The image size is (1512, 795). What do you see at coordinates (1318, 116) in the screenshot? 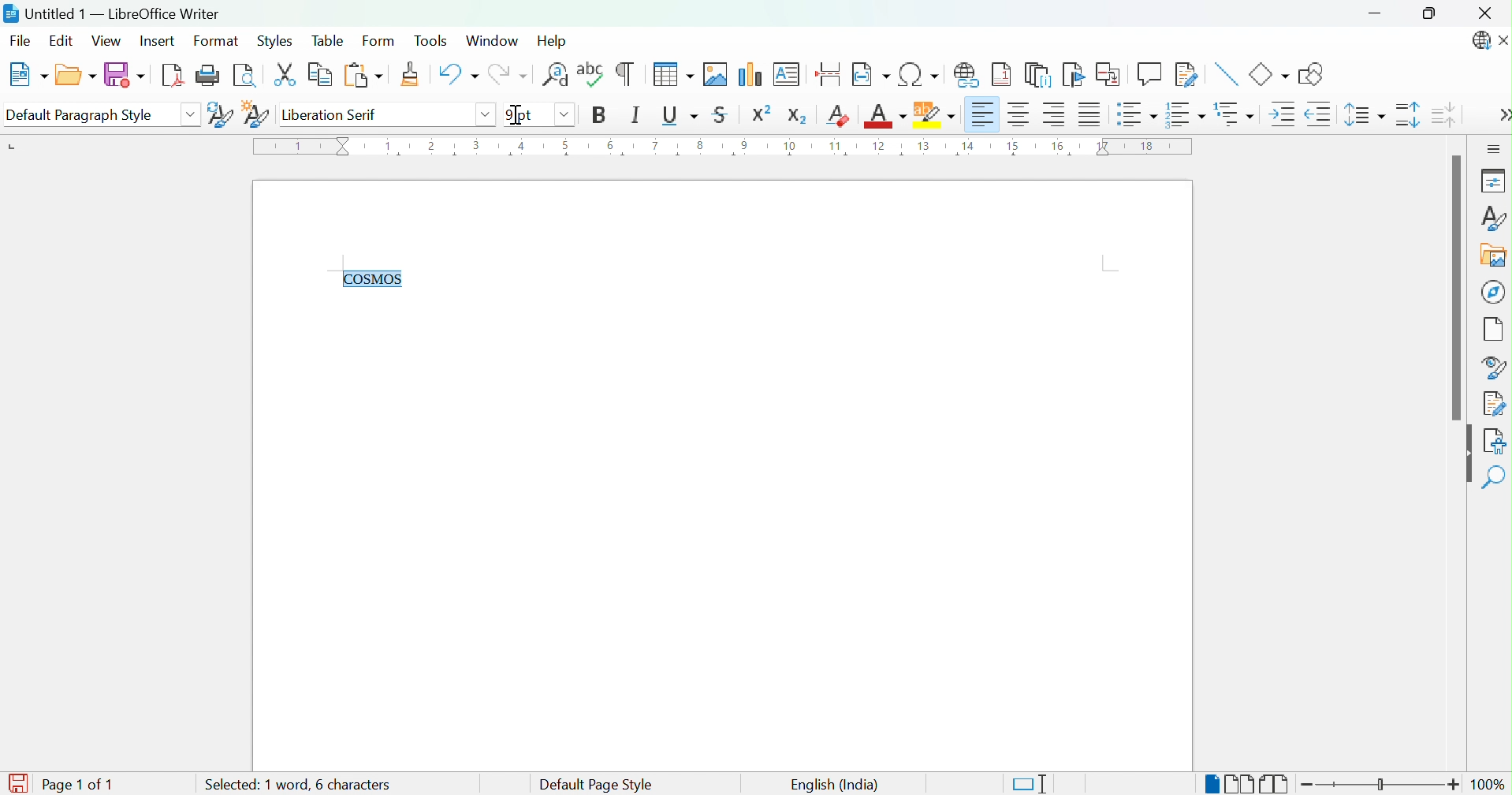
I see `Decrease Indent` at bounding box center [1318, 116].